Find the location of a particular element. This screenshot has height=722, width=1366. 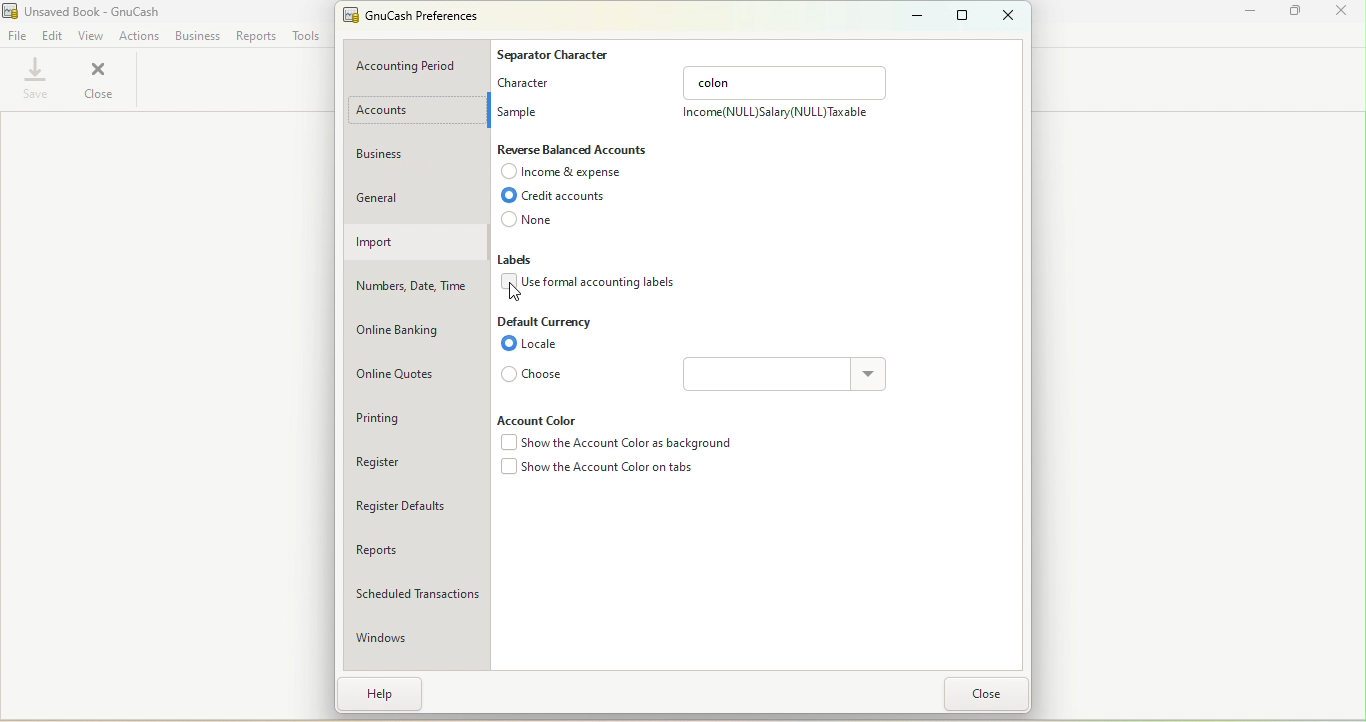

Tools is located at coordinates (307, 36).